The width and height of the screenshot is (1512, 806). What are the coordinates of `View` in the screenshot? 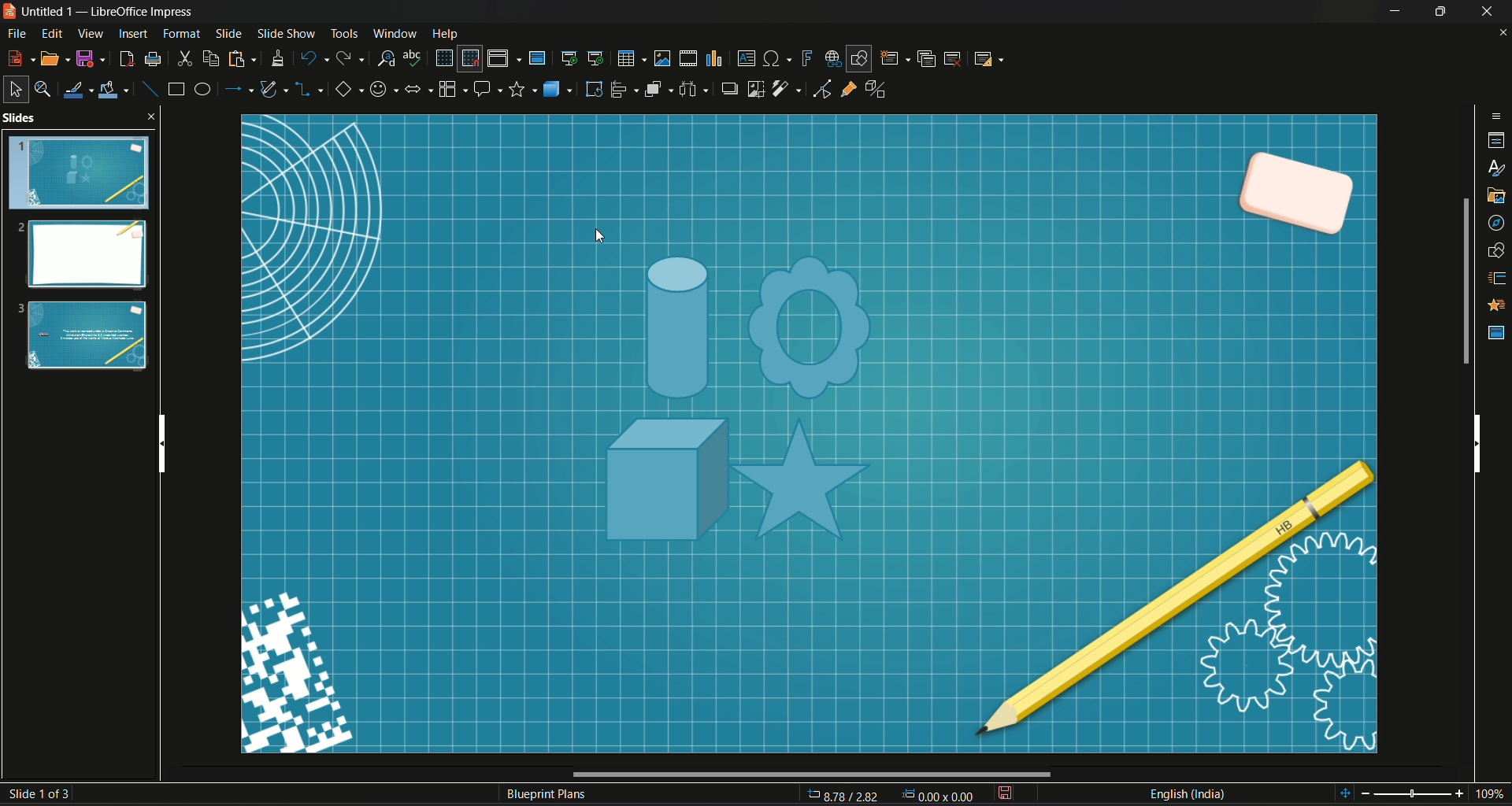 It's located at (91, 33).